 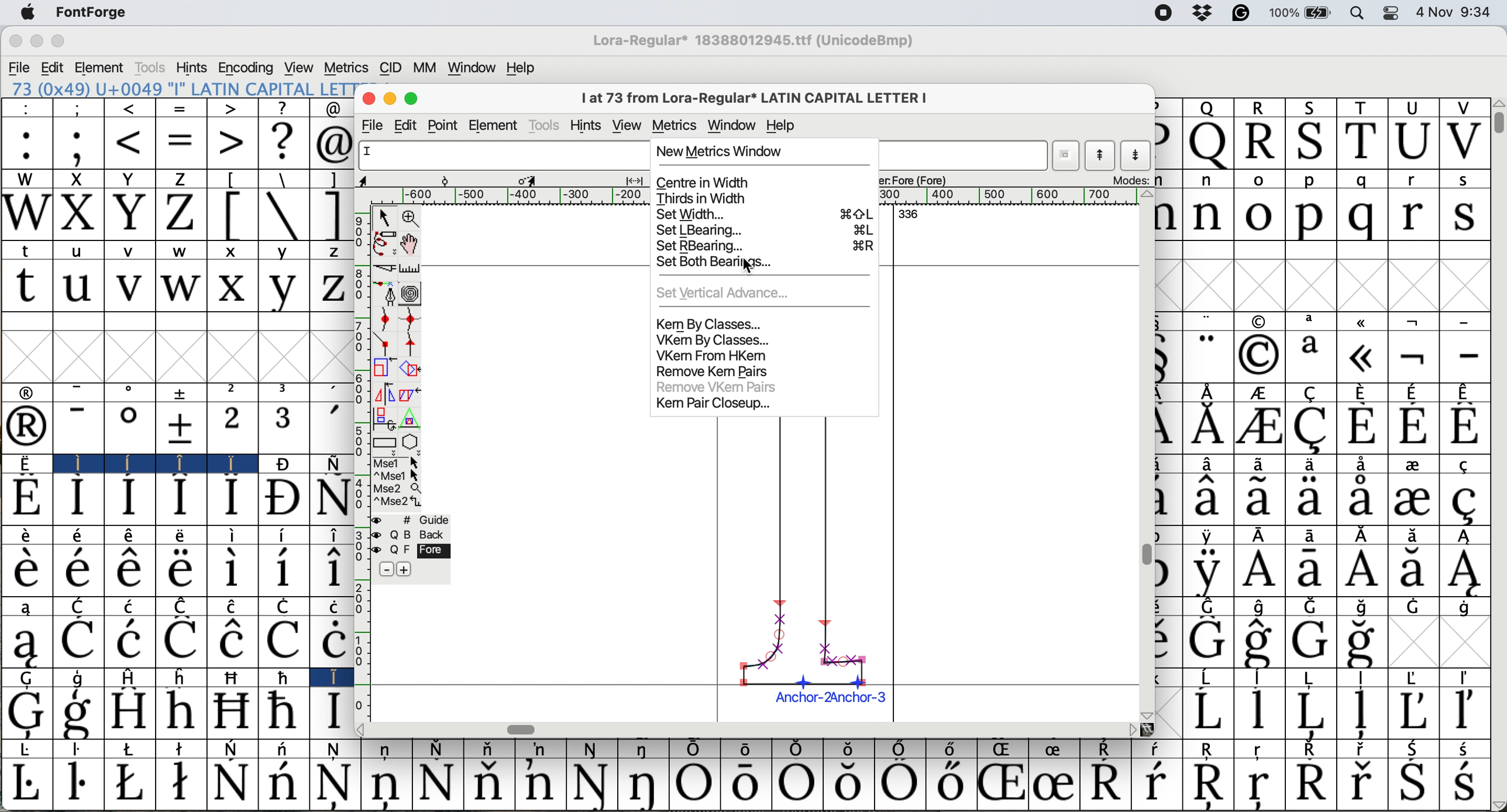 I want to click on Symbol, so click(x=288, y=605).